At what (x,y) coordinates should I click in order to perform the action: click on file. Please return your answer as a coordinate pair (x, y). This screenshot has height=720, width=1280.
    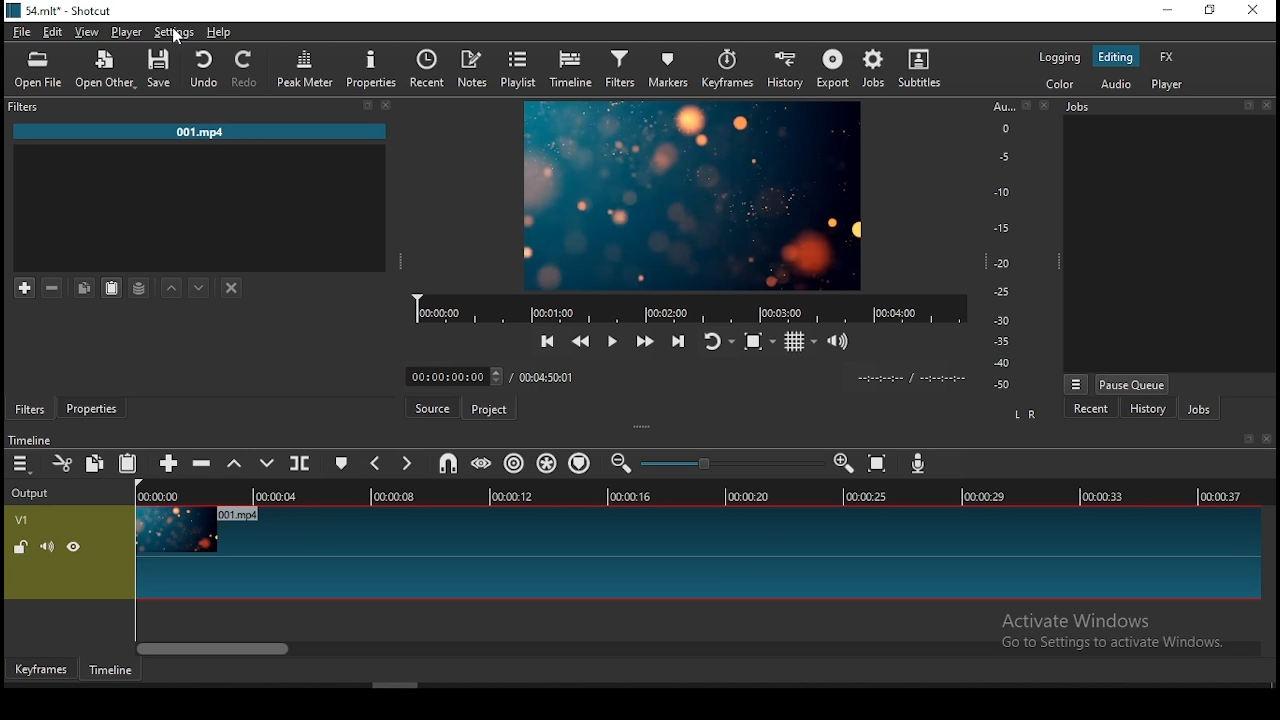
    Looking at the image, I should click on (22, 34).